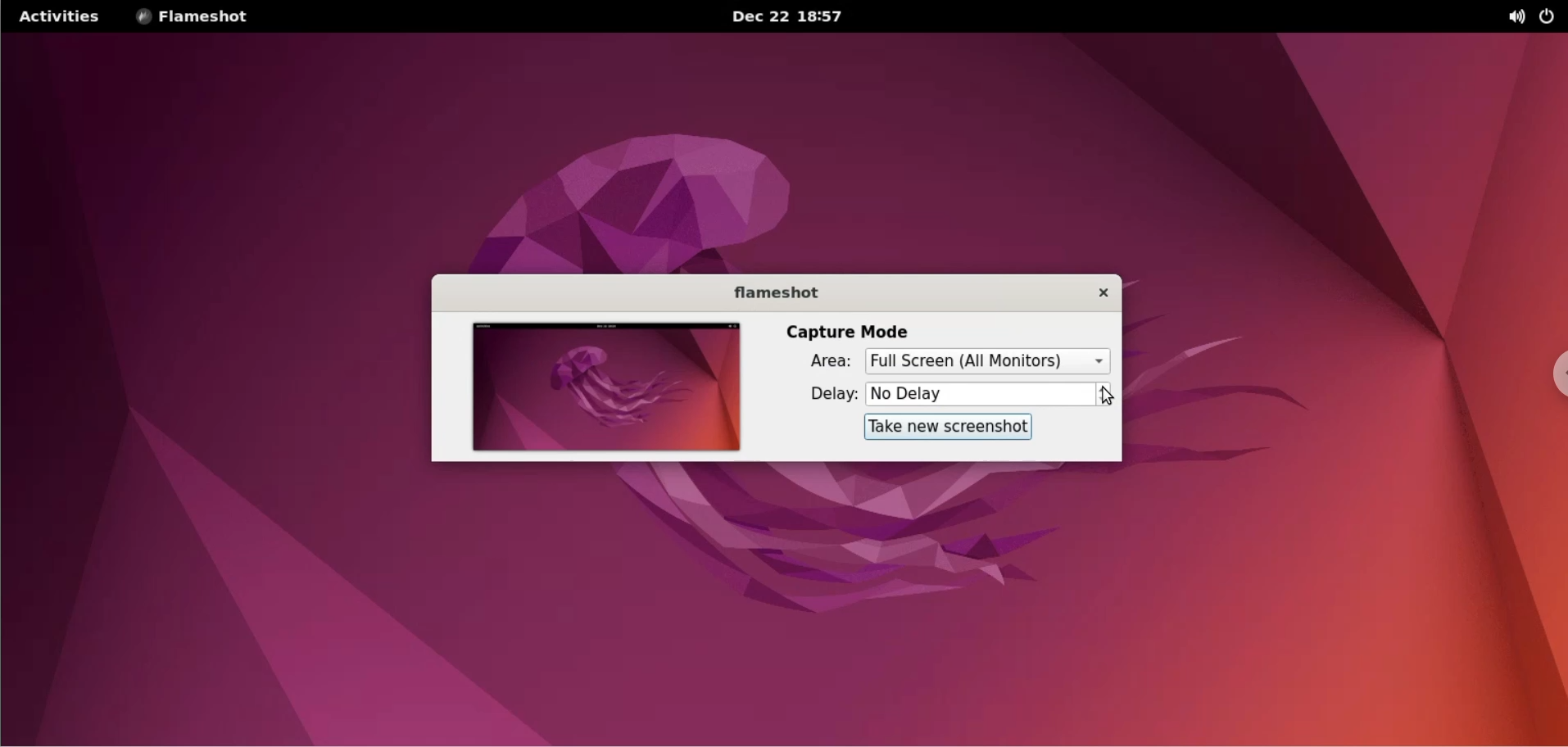 The height and width of the screenshot is (747, 1568). Describe the element at coordinates (819, 394) in the screenshot. I see `delay:` at that location.